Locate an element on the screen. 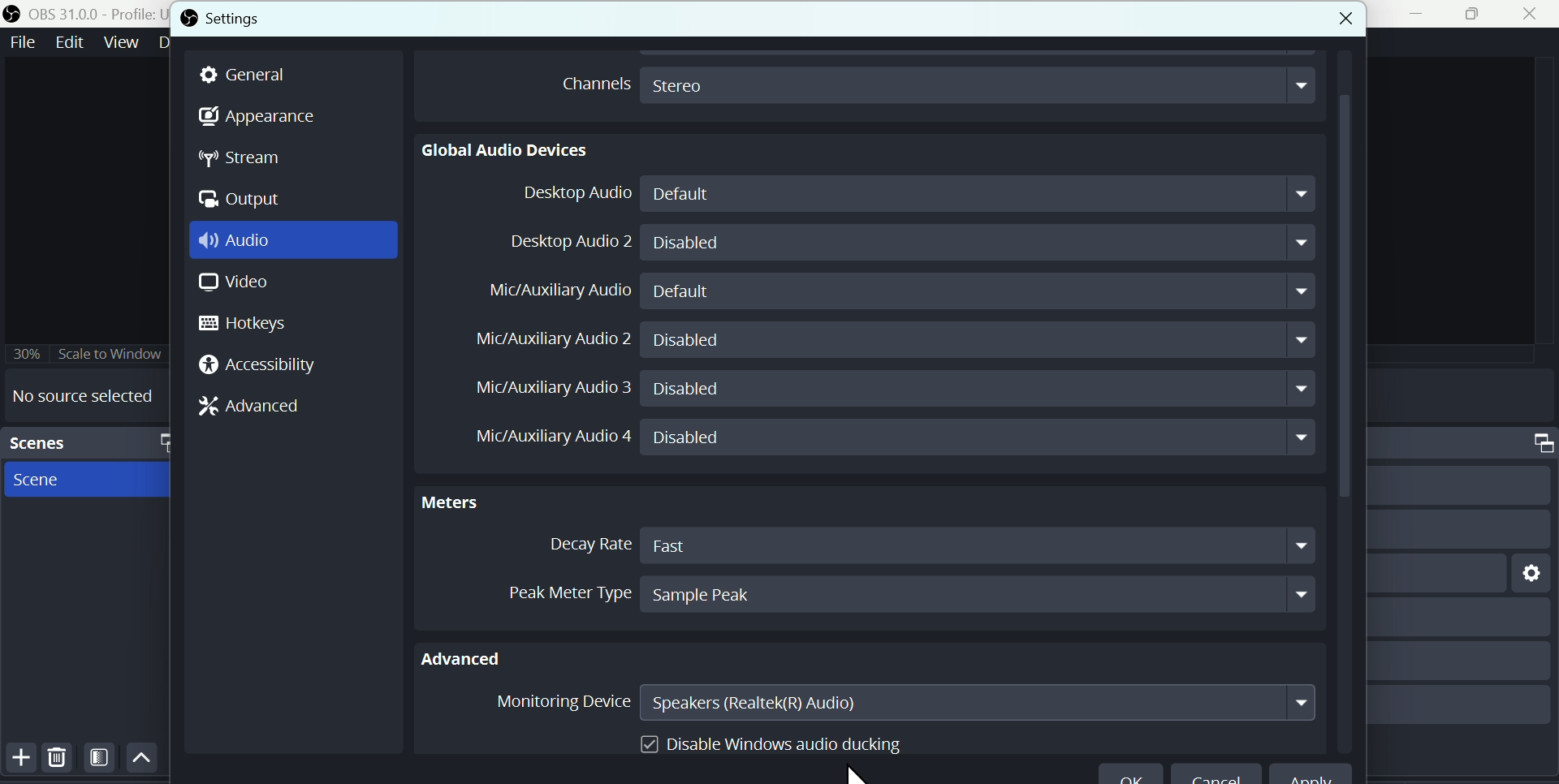  Cancel is located at coordinates (1216, 776).